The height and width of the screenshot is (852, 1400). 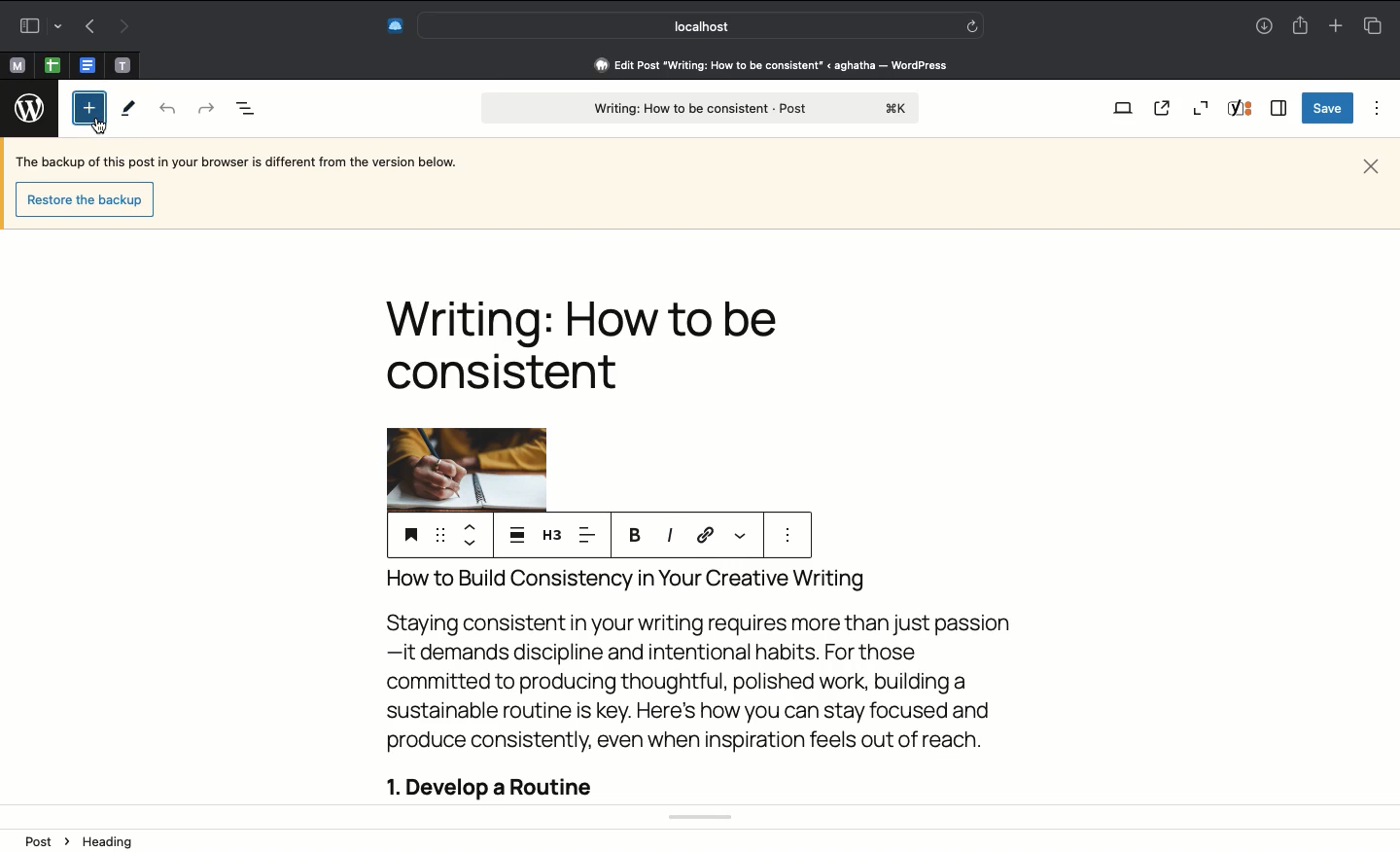 I want to click on Add new tab, so click(x=1338, y=25).